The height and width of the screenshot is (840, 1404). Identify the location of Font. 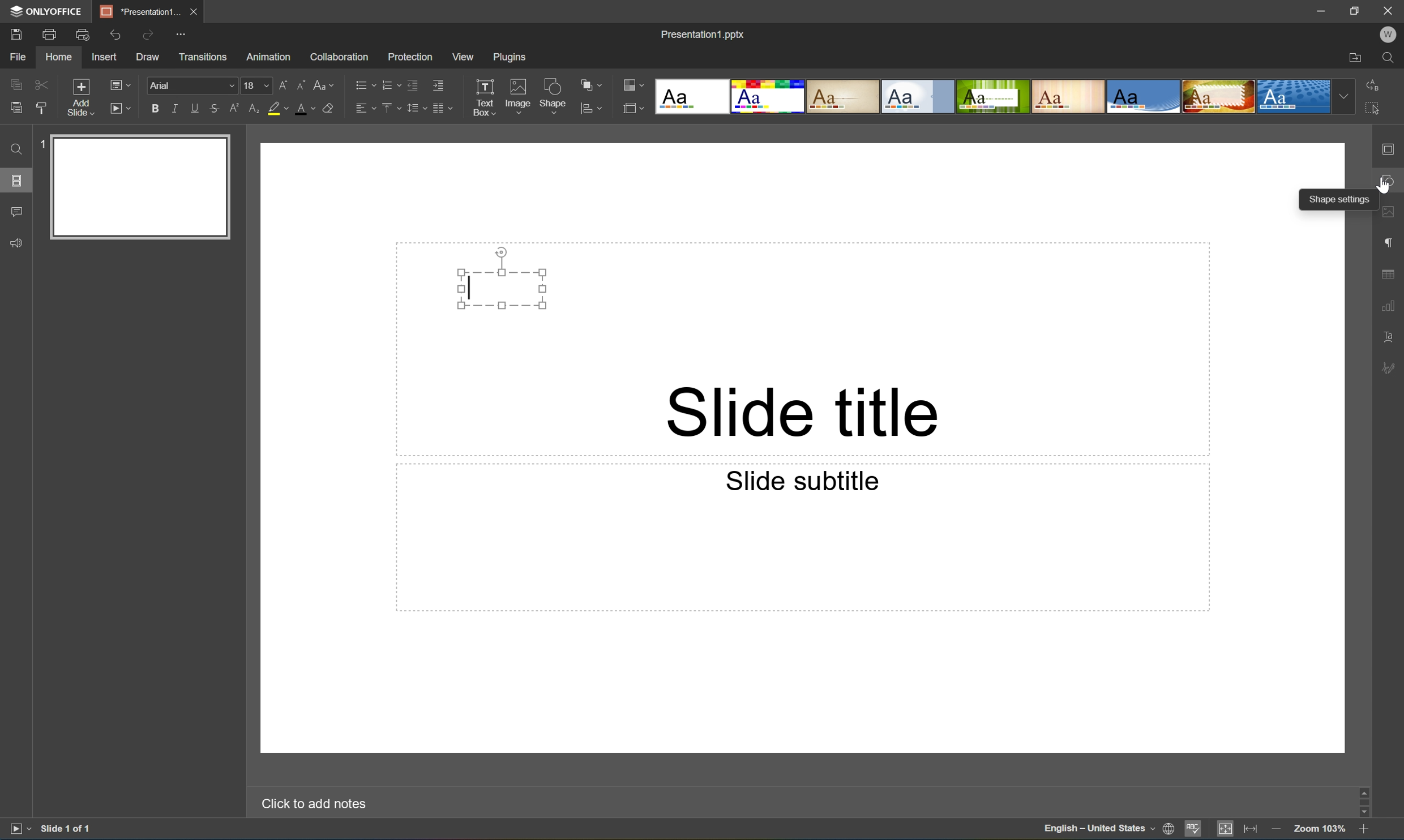
(194, 86).